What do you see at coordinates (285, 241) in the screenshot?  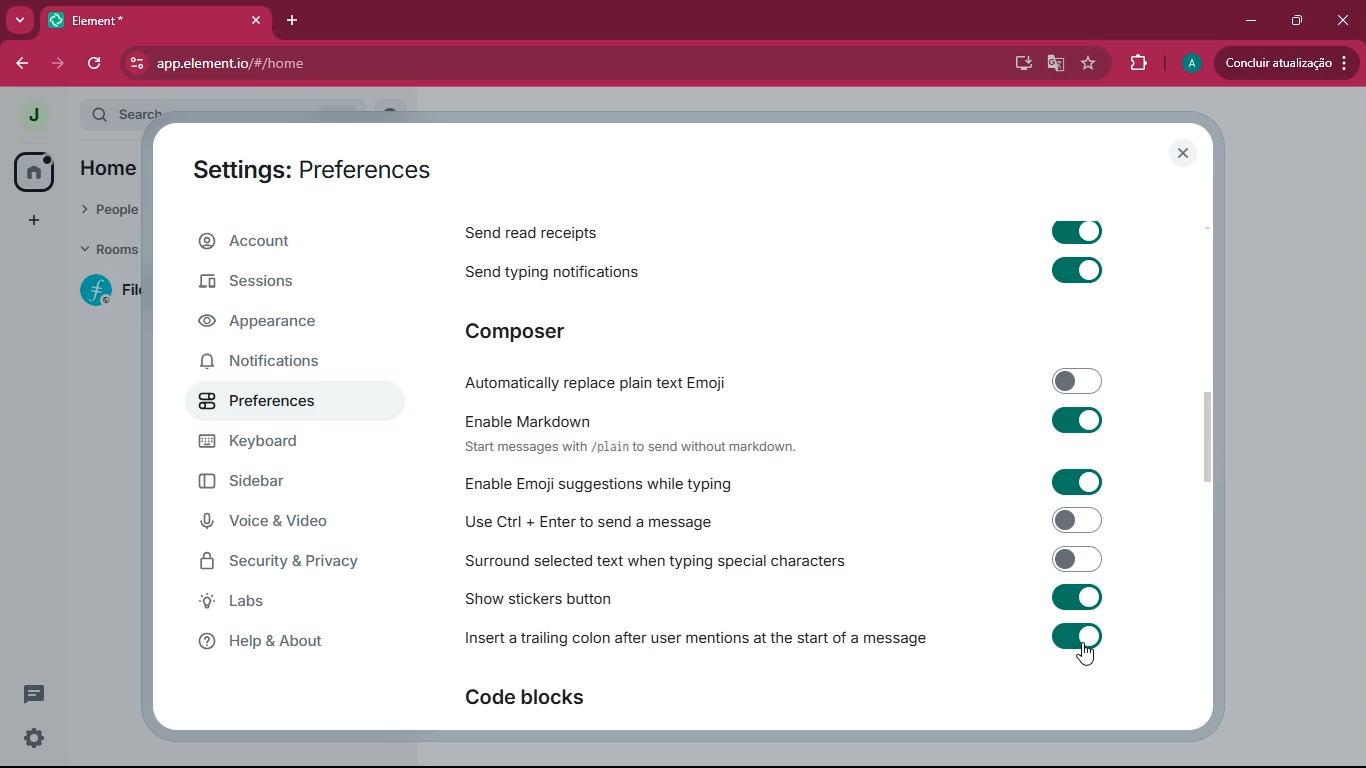 I see `account` at bounding box center [285, 241].